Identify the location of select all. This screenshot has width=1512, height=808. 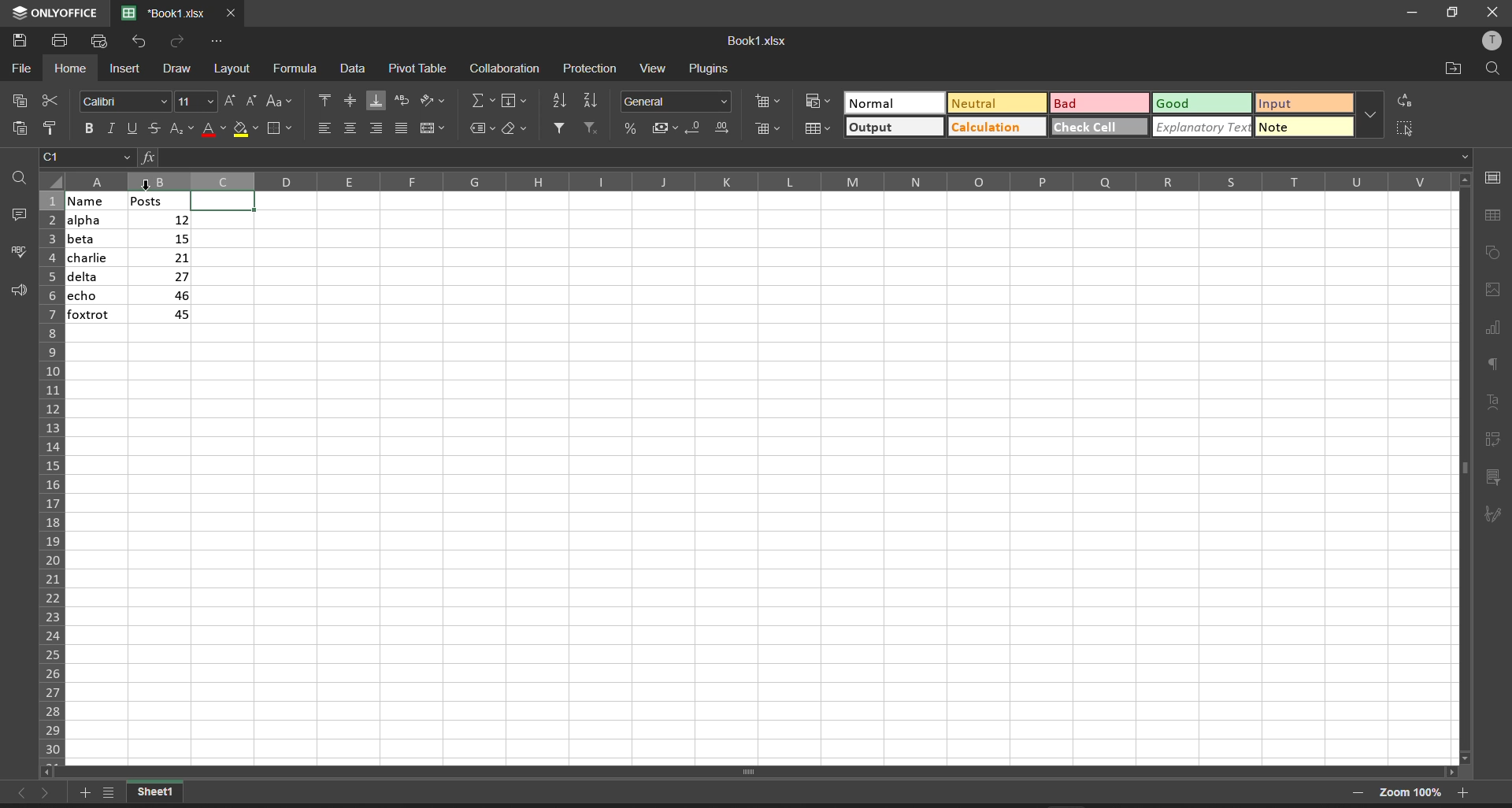
(57, 182).